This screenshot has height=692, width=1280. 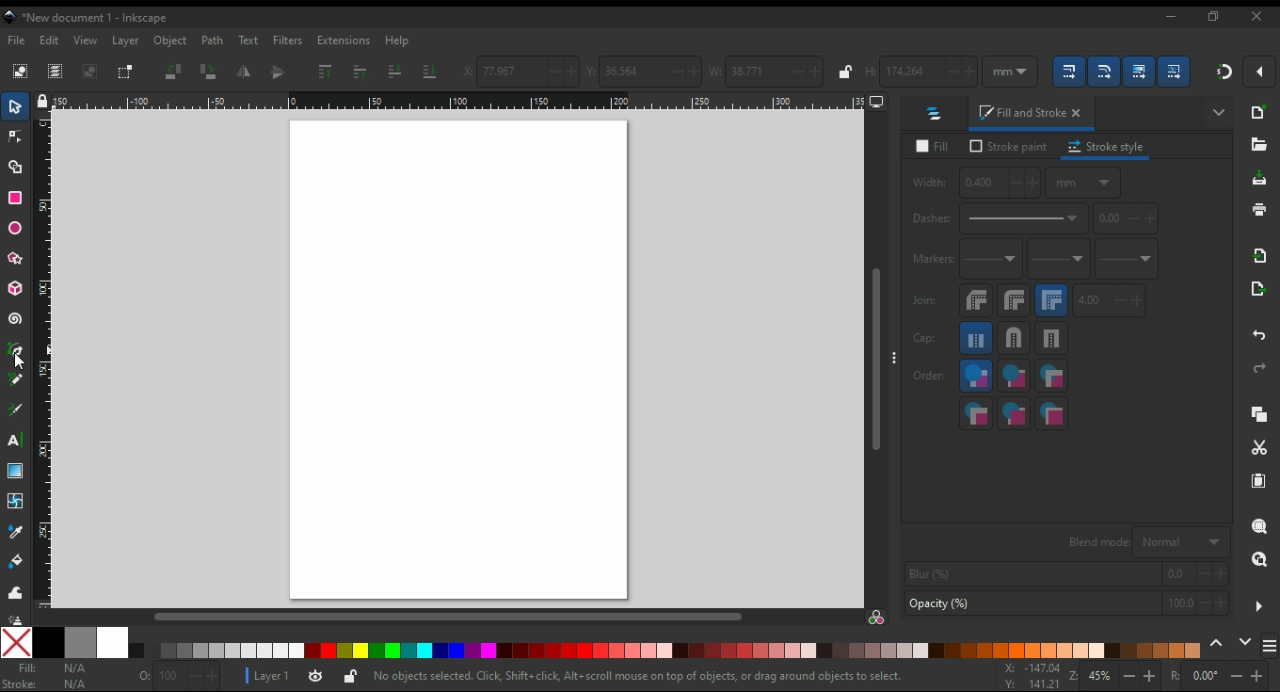 I want to click on markers, so click(x=932, y=259).